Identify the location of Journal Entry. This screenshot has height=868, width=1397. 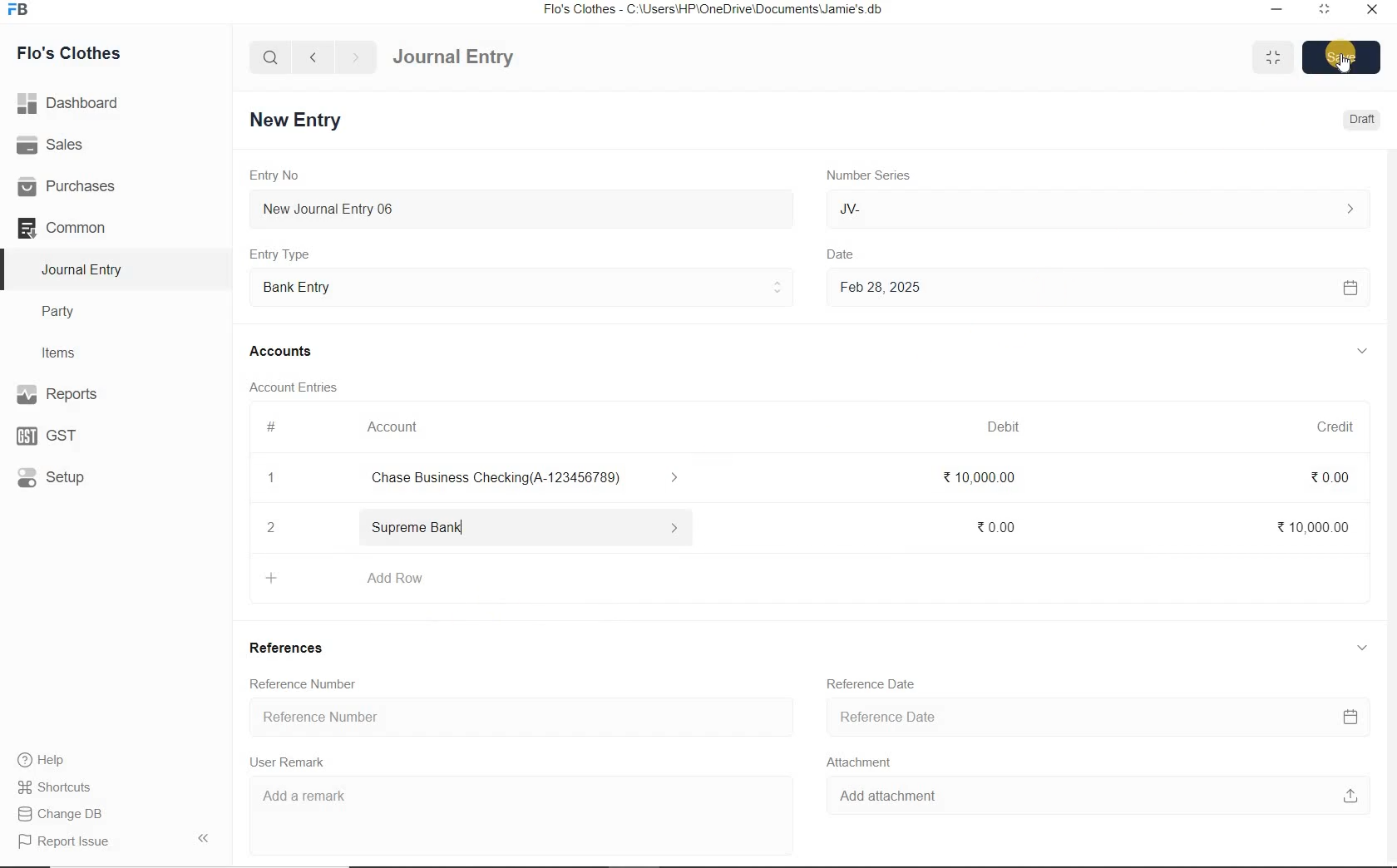
(84, 269).